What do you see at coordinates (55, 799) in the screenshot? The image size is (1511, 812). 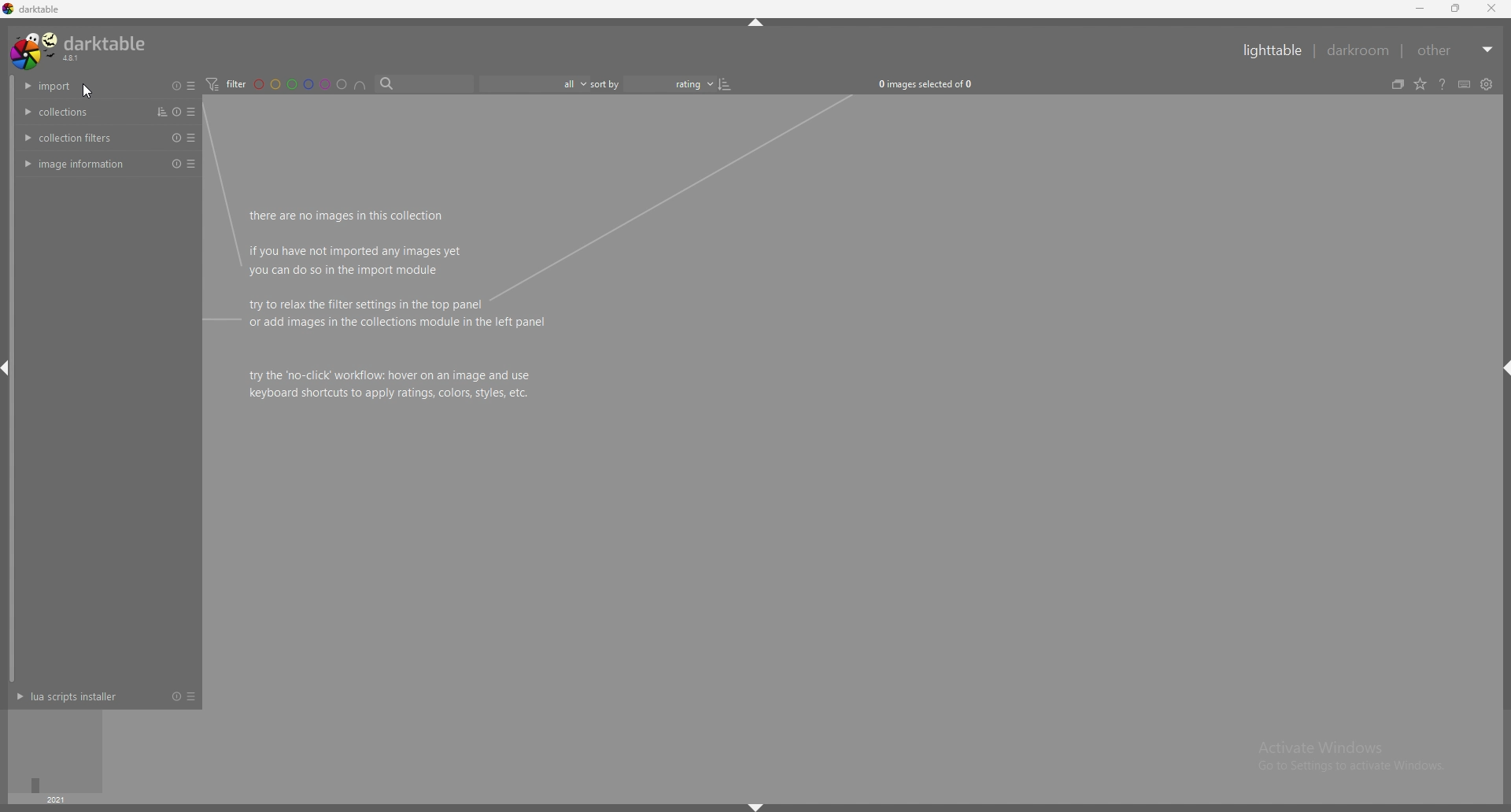 I see `year` at bounding box center [55, 799].